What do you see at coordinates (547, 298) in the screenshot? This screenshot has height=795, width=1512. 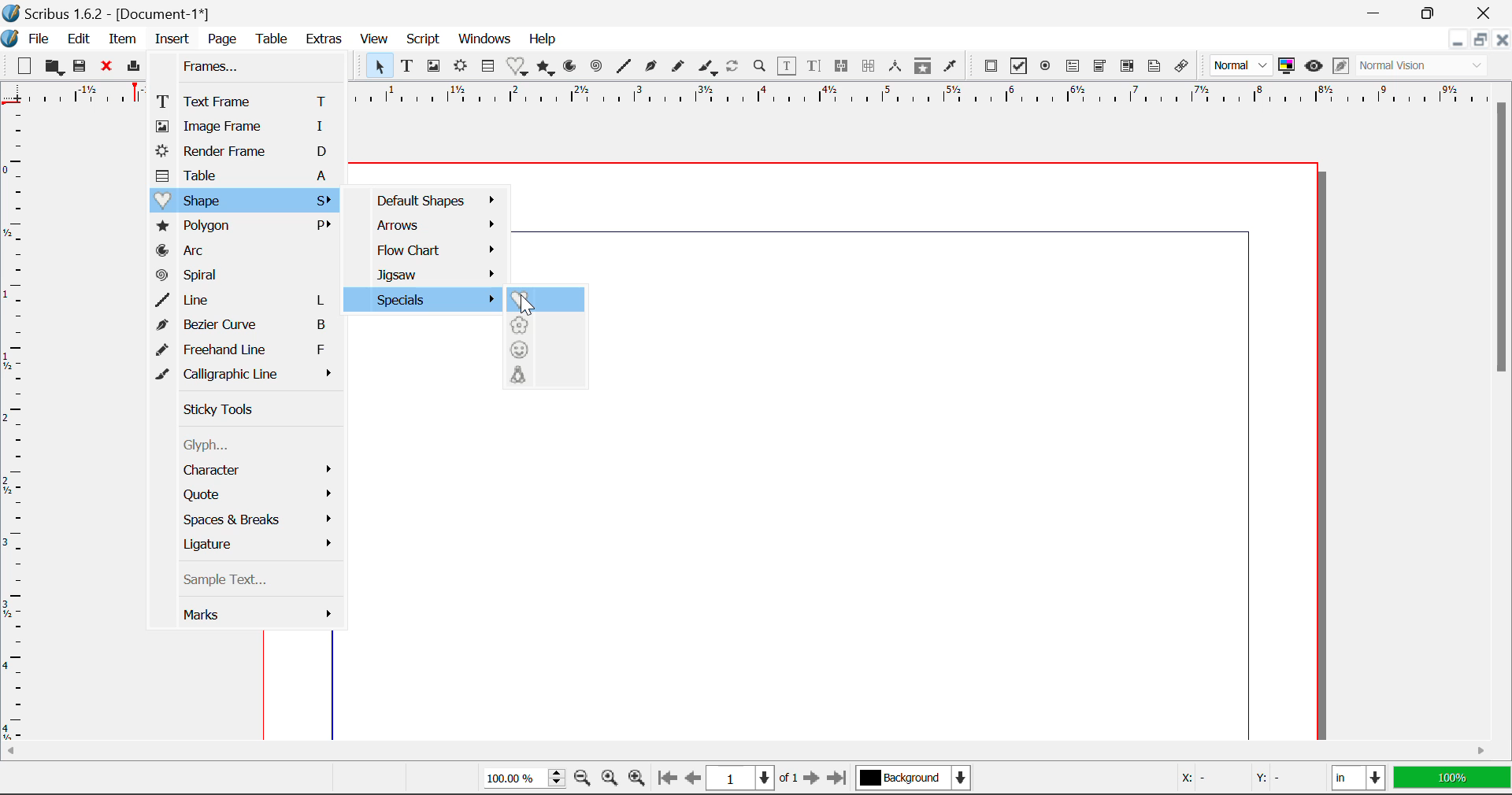 I see `Heart` at bounding box center [547, 298].